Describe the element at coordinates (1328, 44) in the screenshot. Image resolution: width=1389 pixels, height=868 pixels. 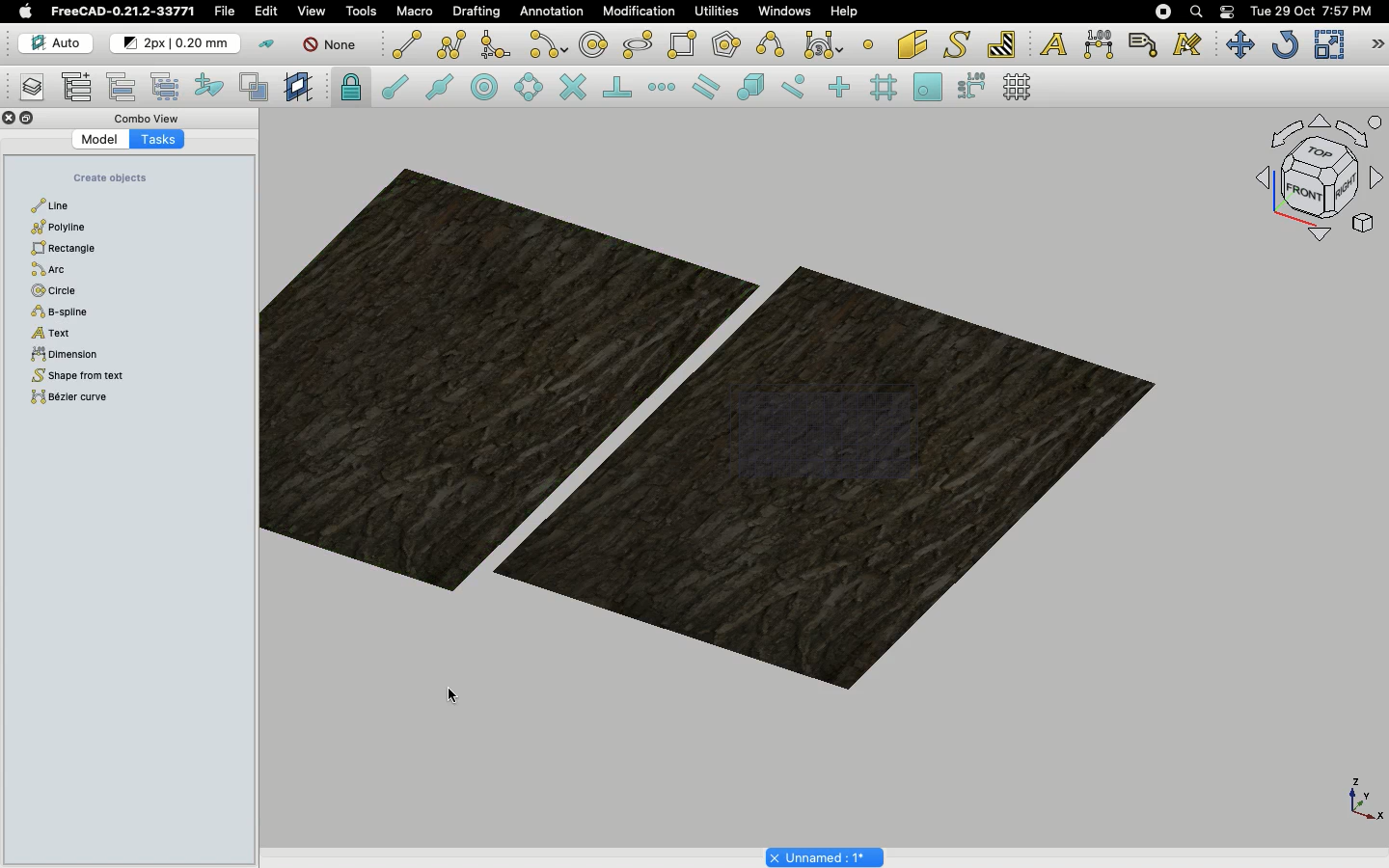
I see `Scale` at that location.